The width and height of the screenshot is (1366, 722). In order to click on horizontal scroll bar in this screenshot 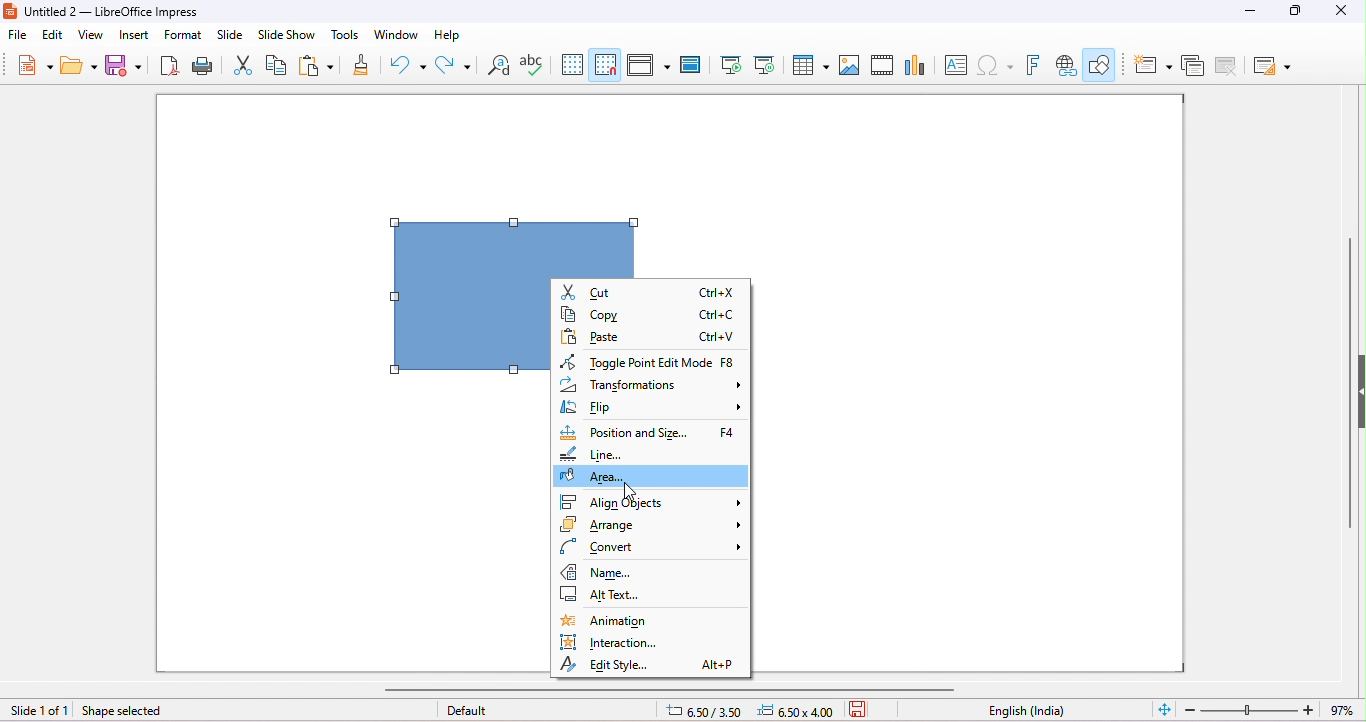, I will do `click(673, 689)`.